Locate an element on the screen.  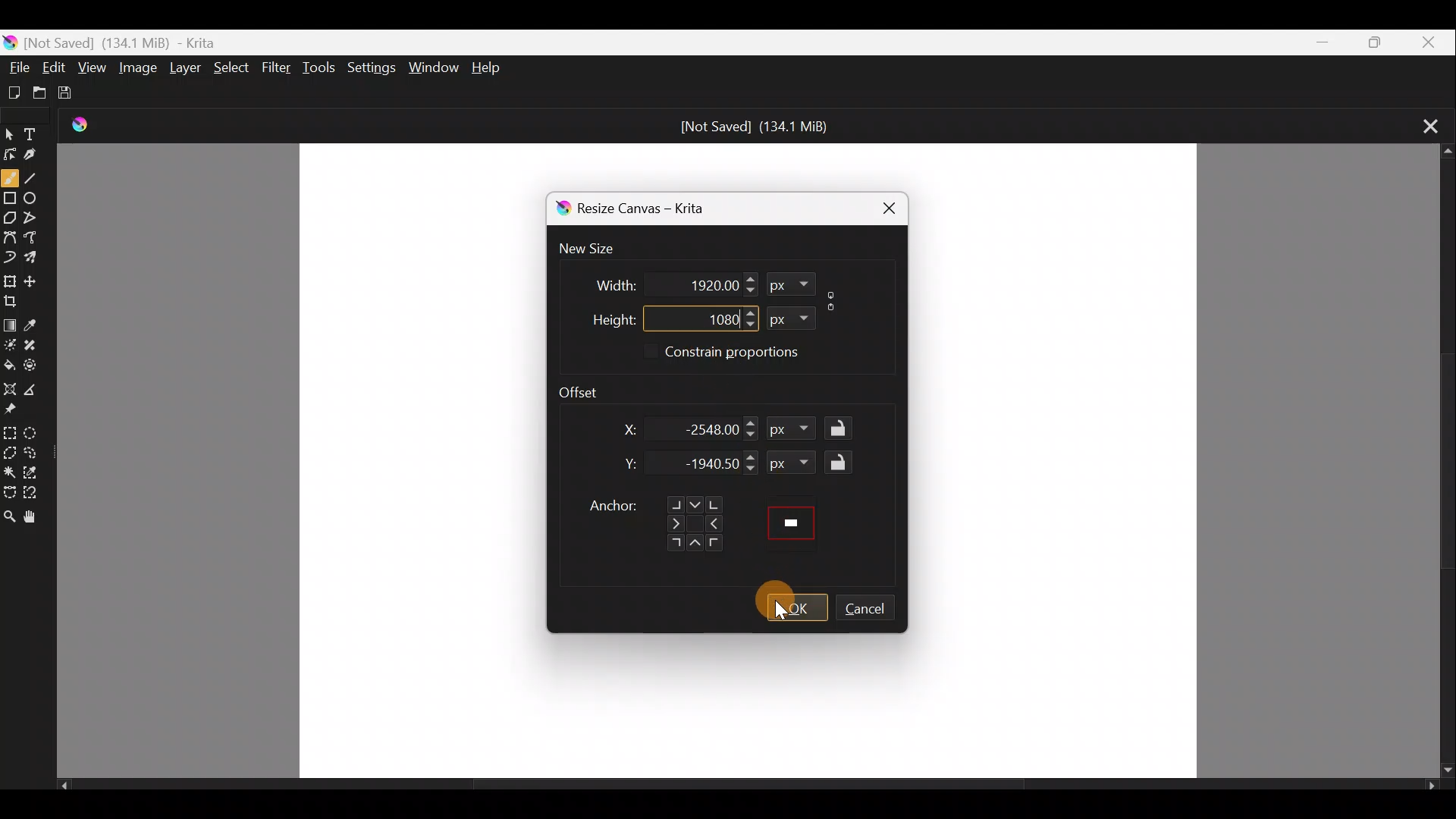
Select is located at coordinates (232, 67).